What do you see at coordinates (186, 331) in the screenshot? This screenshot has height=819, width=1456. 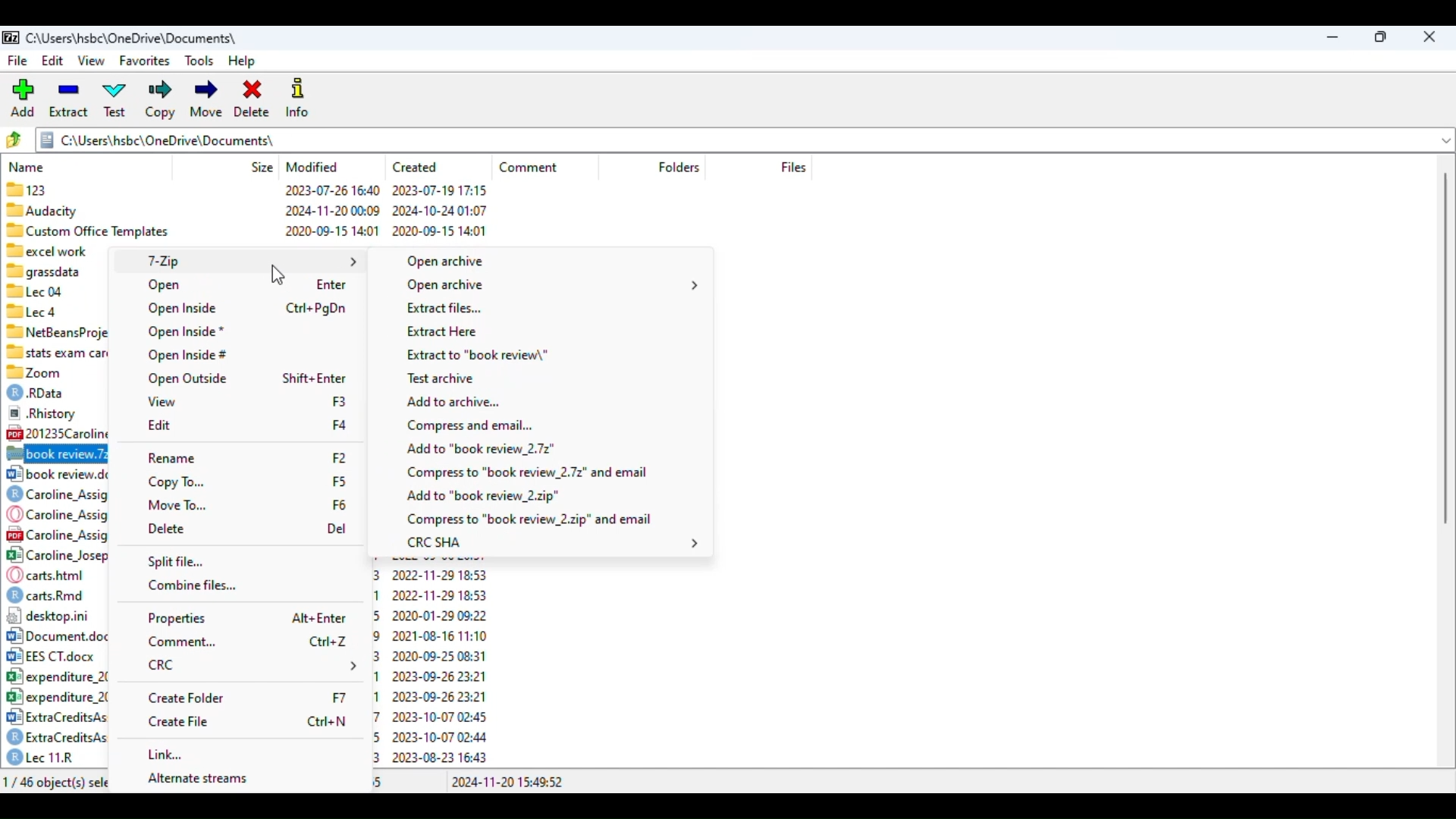 I see `open inside*` at bounding box center [186, 331].